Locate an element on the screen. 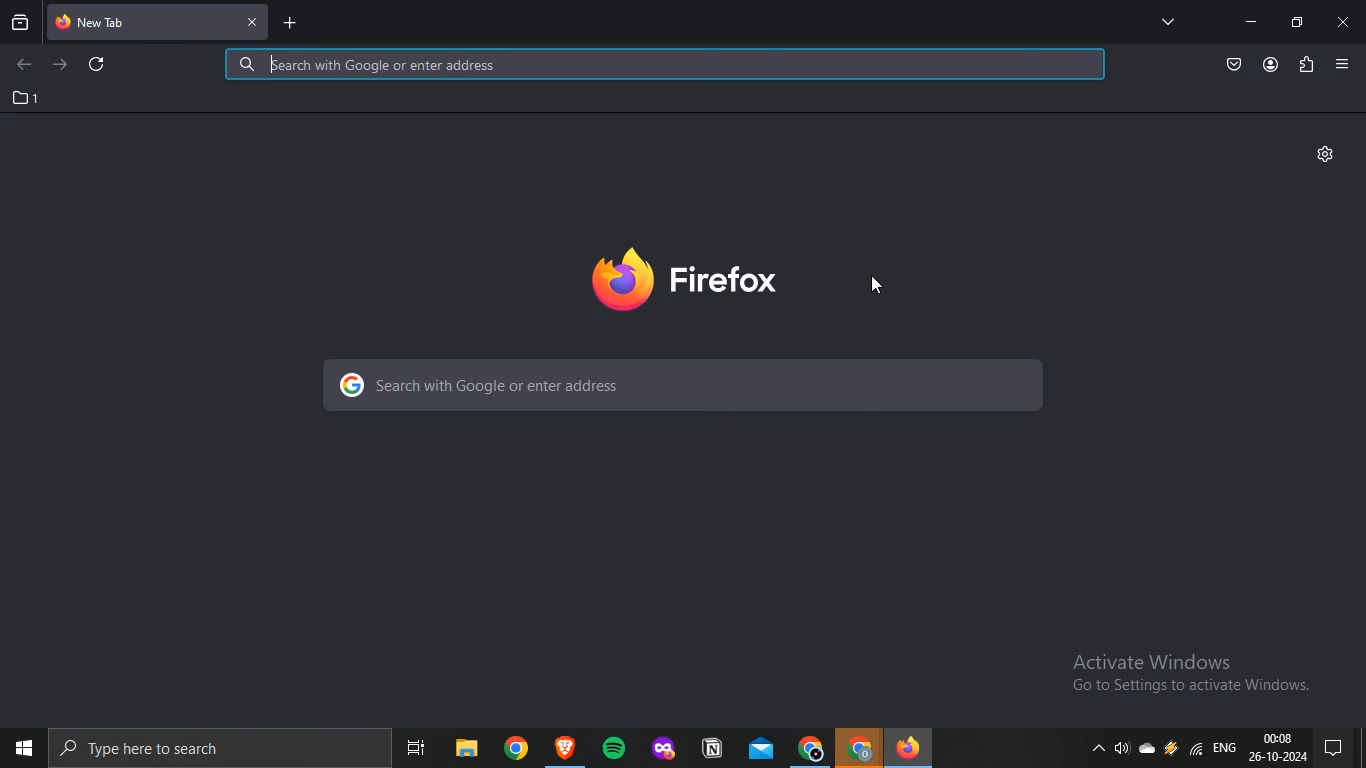 This screenshot has height=768, width=1366. settings is located at coordinates (1326, 153).